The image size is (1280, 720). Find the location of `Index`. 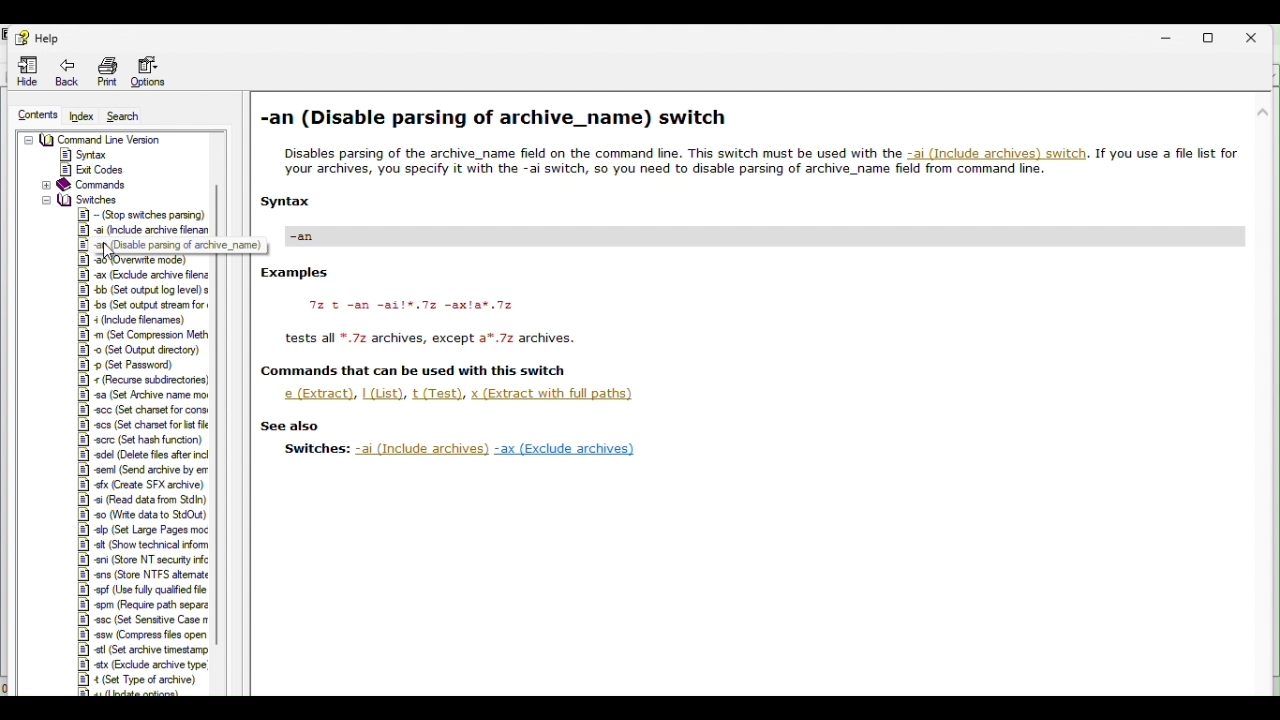

Index is located at coordinates (79, 115).